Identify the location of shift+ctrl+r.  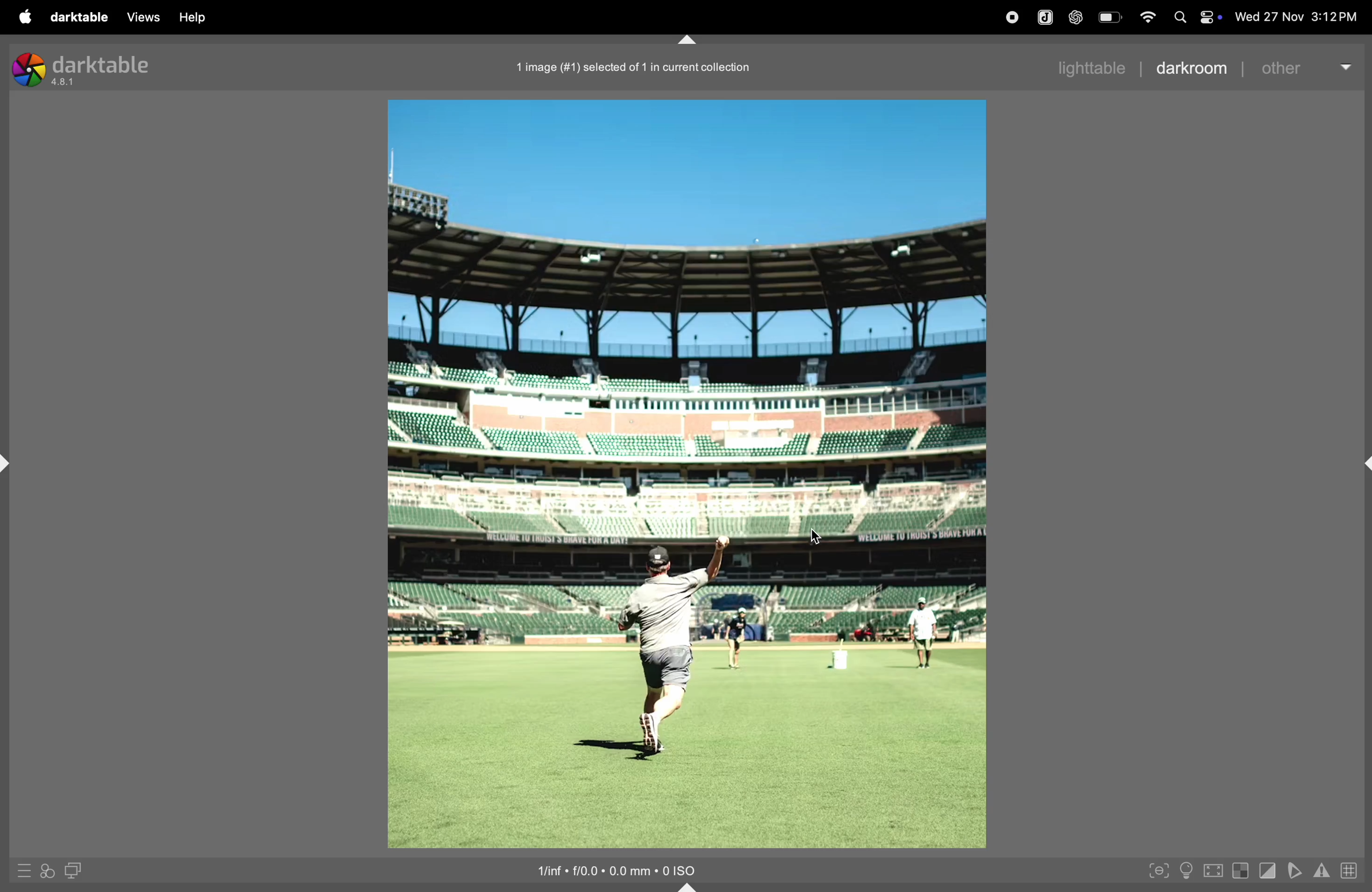
(1364, 463).